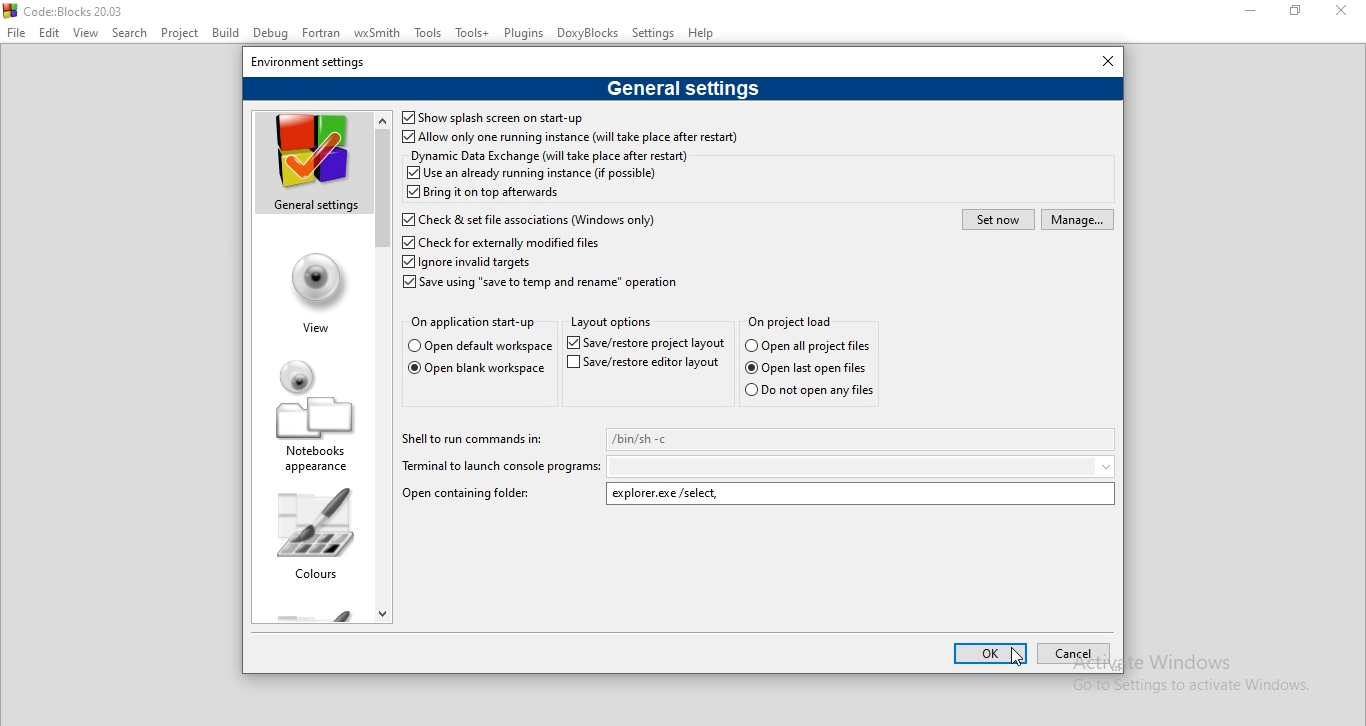 The image size is (1366, 726). I want to click on notebooks appearance, so click(309, 410).